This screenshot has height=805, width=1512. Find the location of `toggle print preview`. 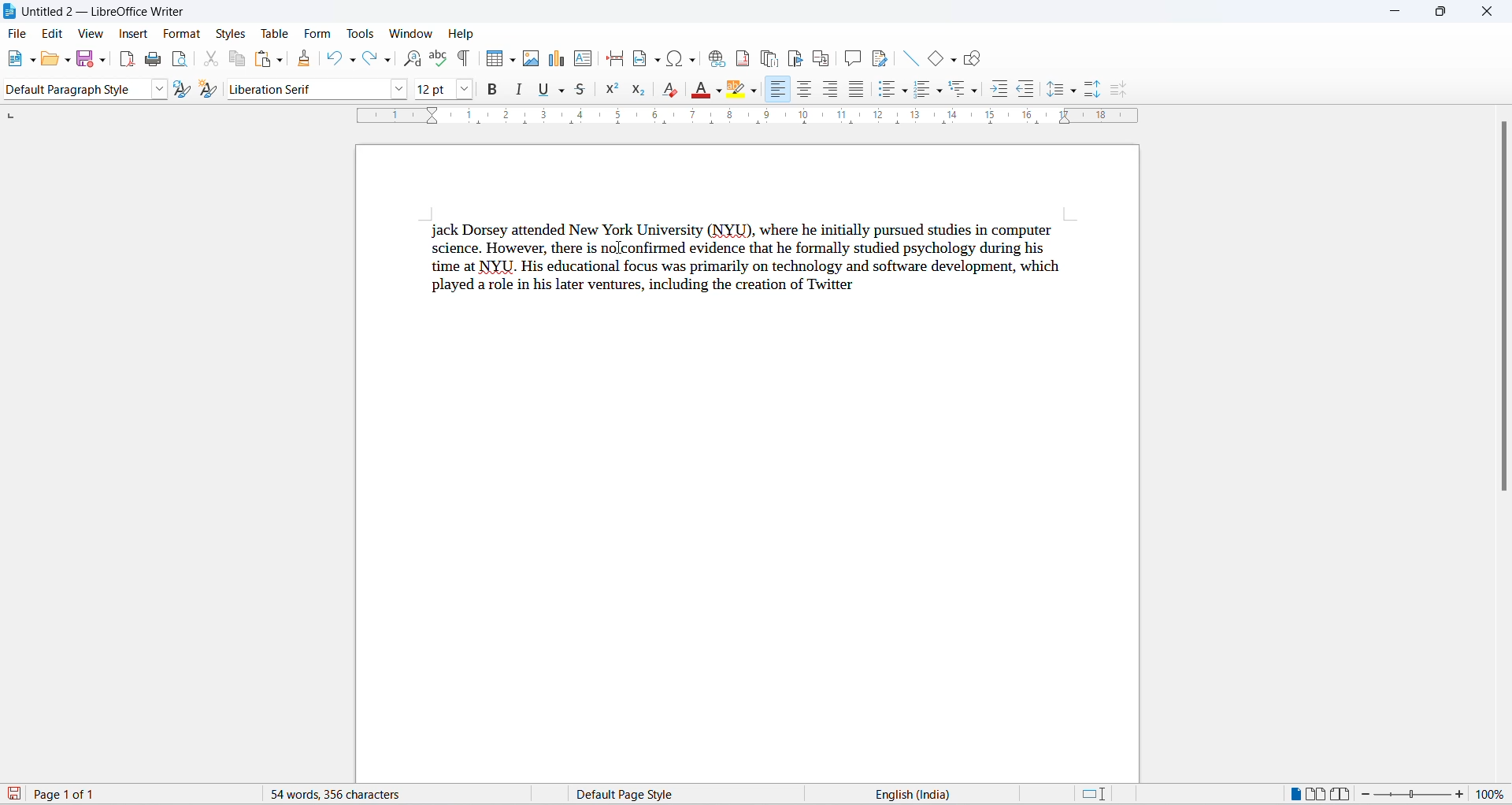

toggle print preview is located at coordinates (182, 61).